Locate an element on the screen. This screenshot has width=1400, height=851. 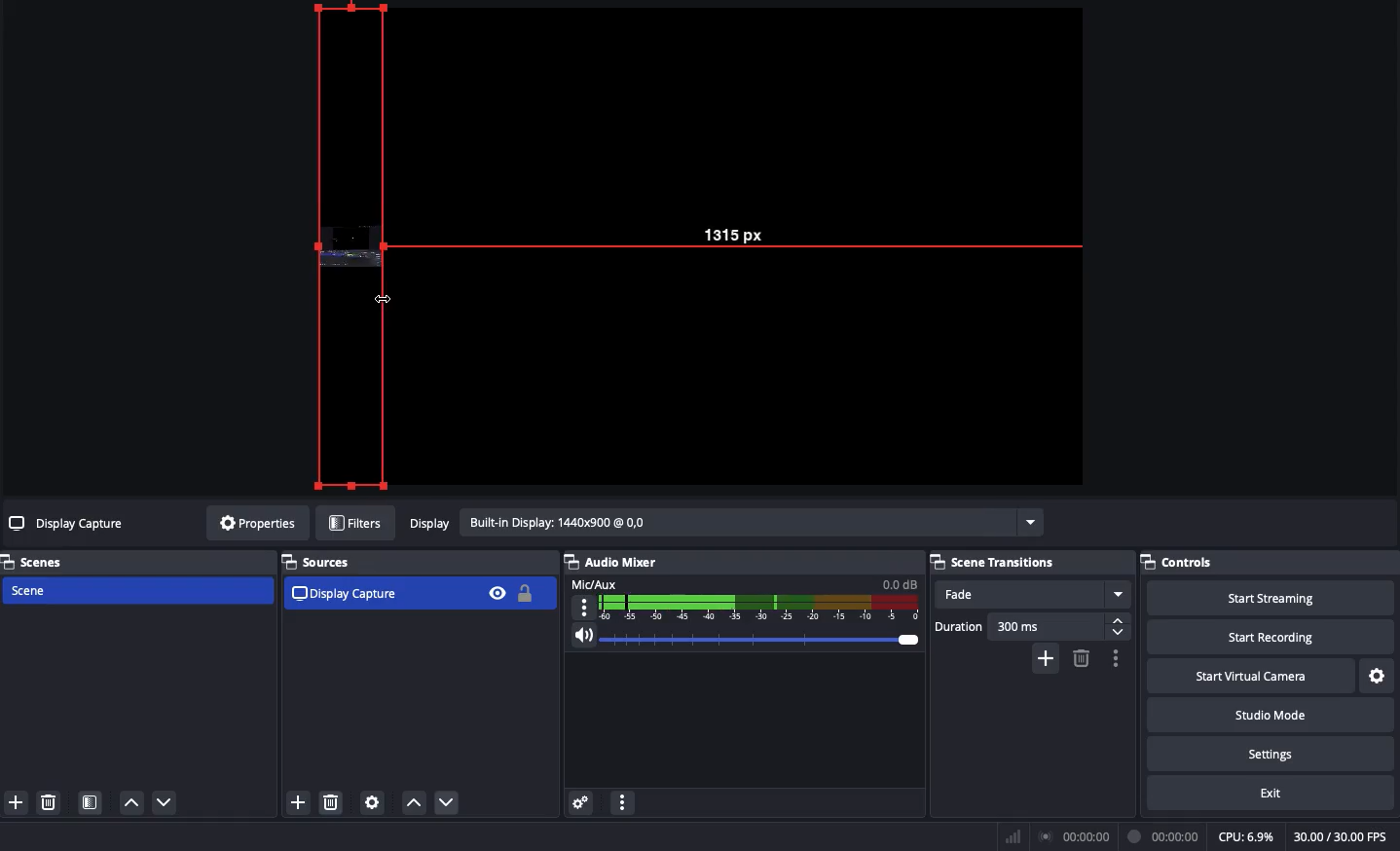
Start recording is located at coordinates (1273, 636).